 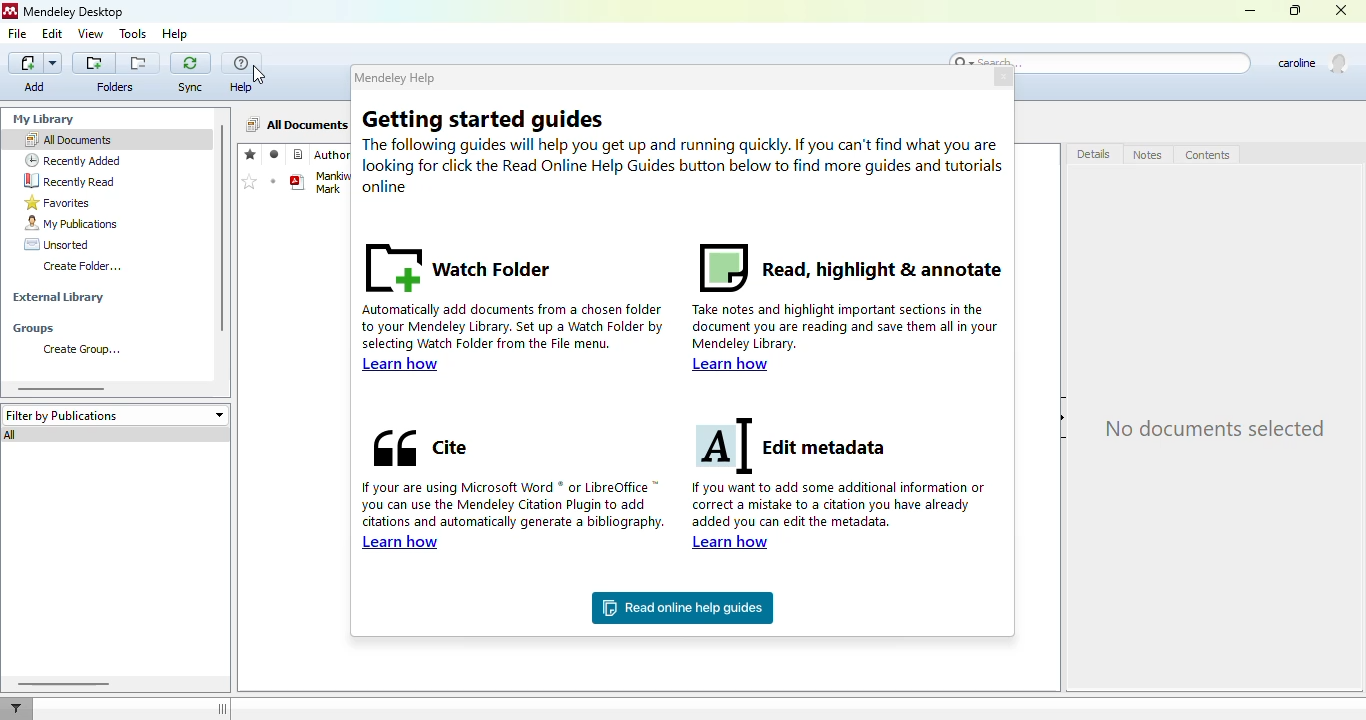 I want to click on minimize, so click(x=1249, y=11).